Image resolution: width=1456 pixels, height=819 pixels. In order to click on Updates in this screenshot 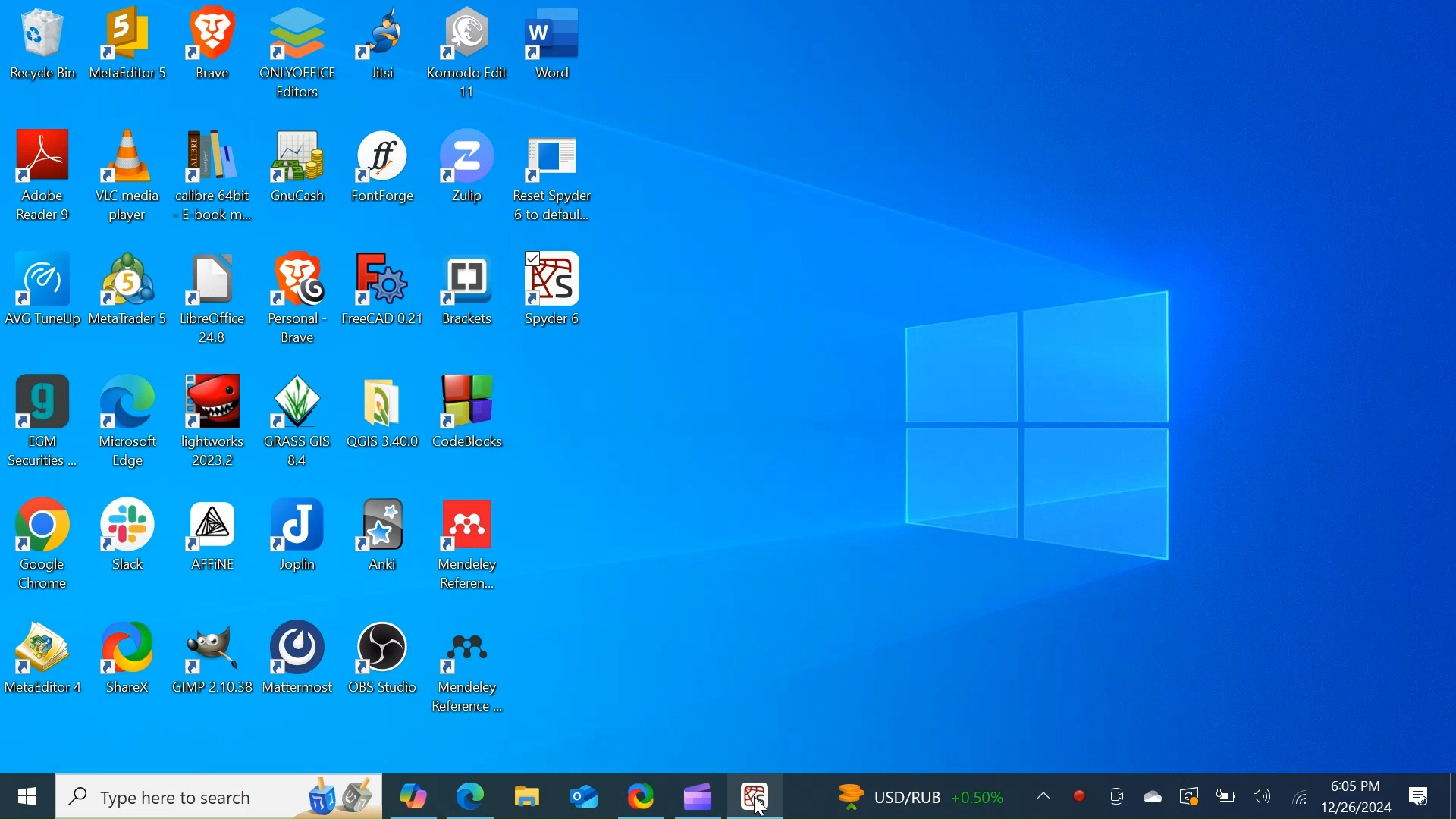, I will do `click(939, 794)`.